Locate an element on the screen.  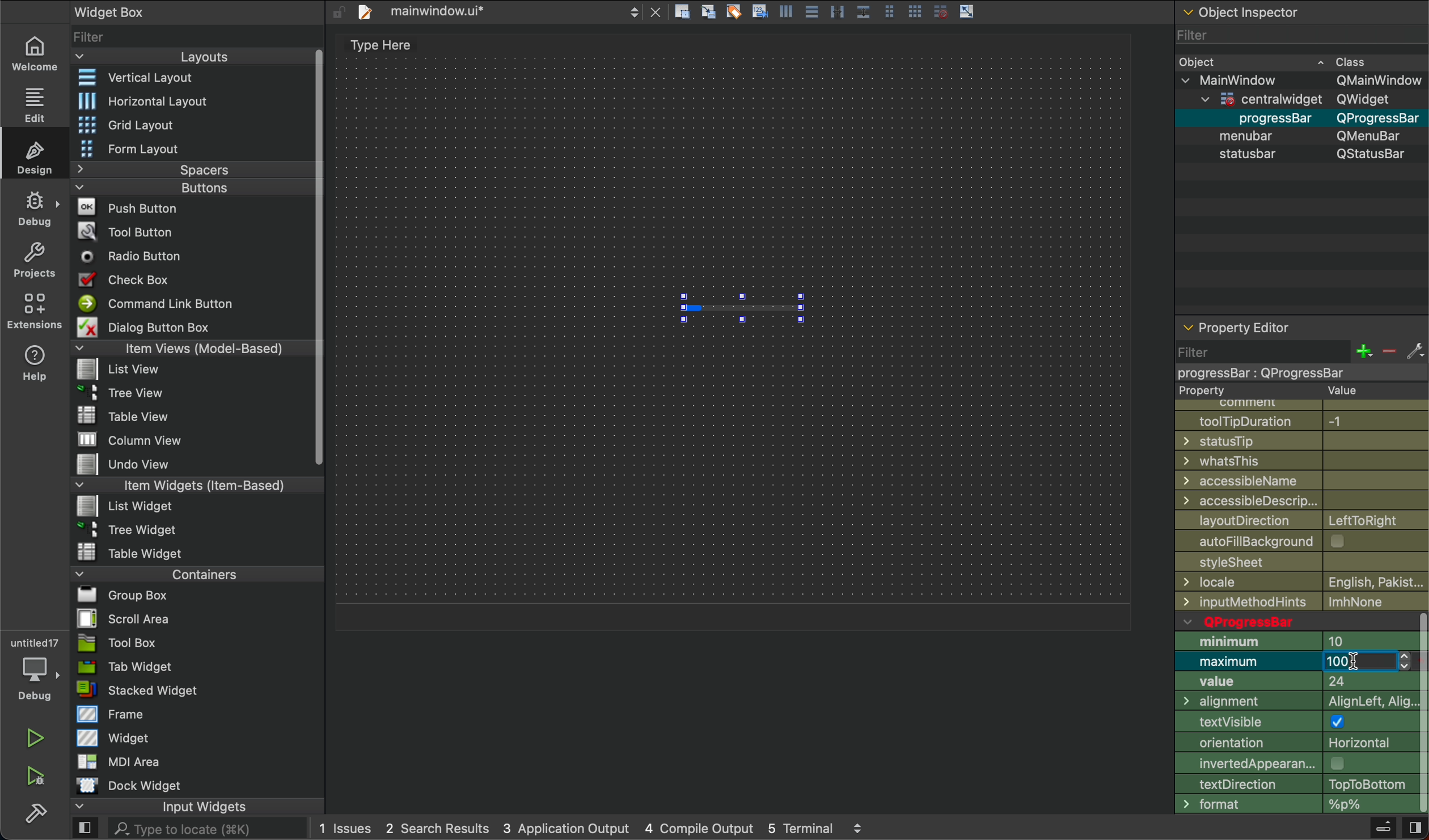
File is located at coordinates (137, 465).